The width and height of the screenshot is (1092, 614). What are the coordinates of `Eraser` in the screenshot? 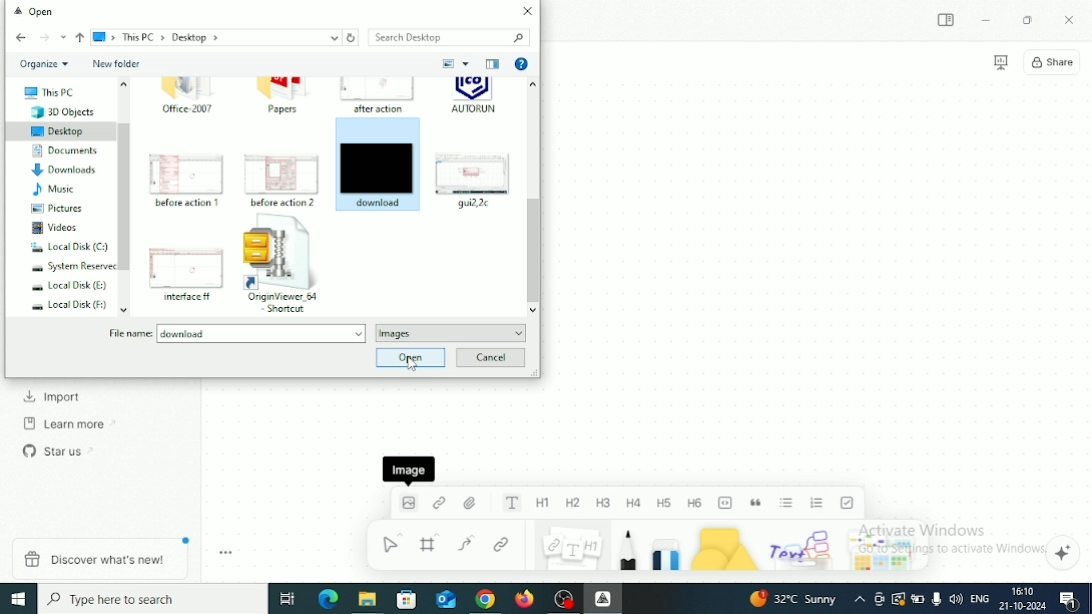 It's located at (667, 548).